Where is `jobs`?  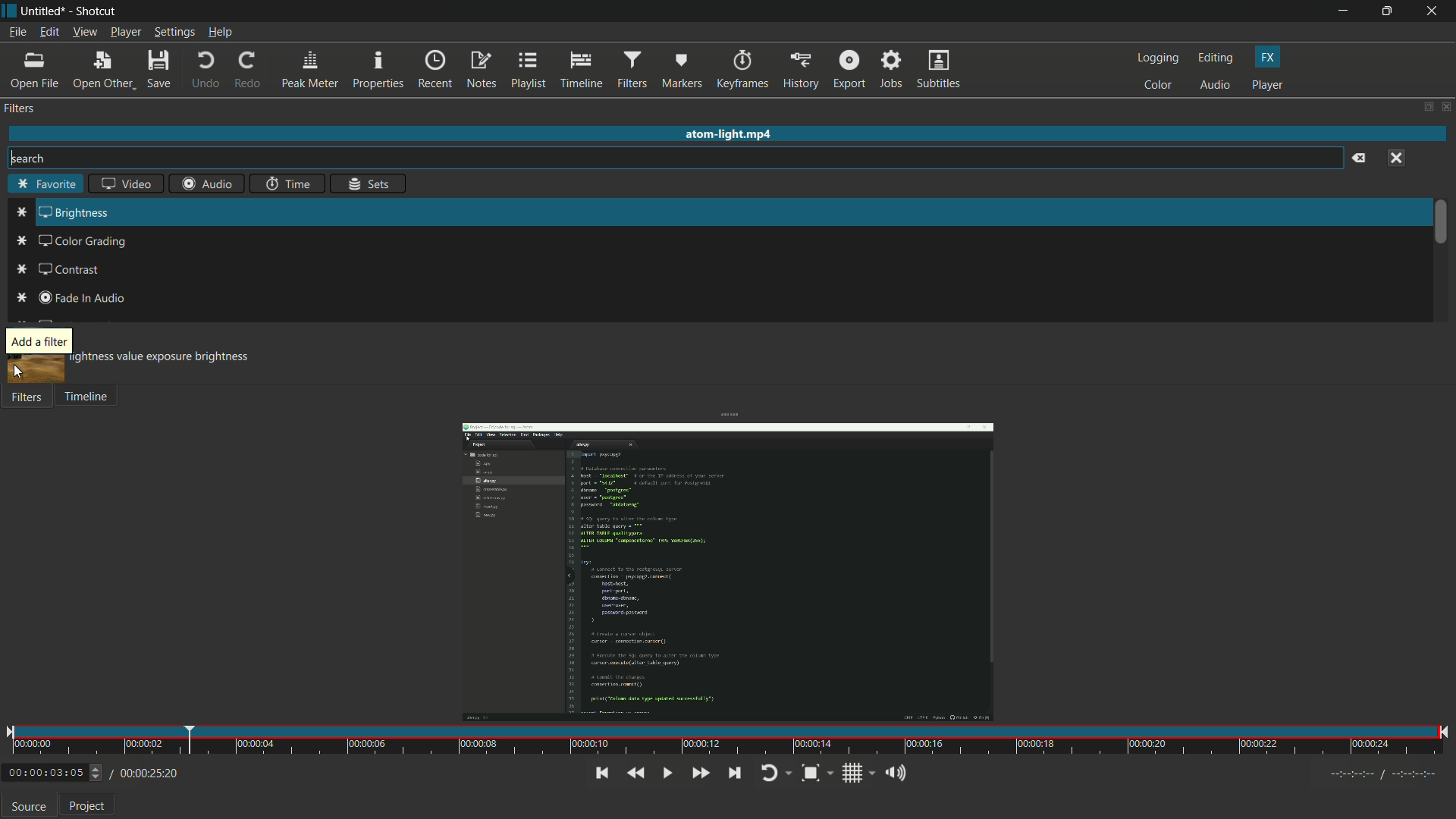
jobs is located at coordinates (889, 70).